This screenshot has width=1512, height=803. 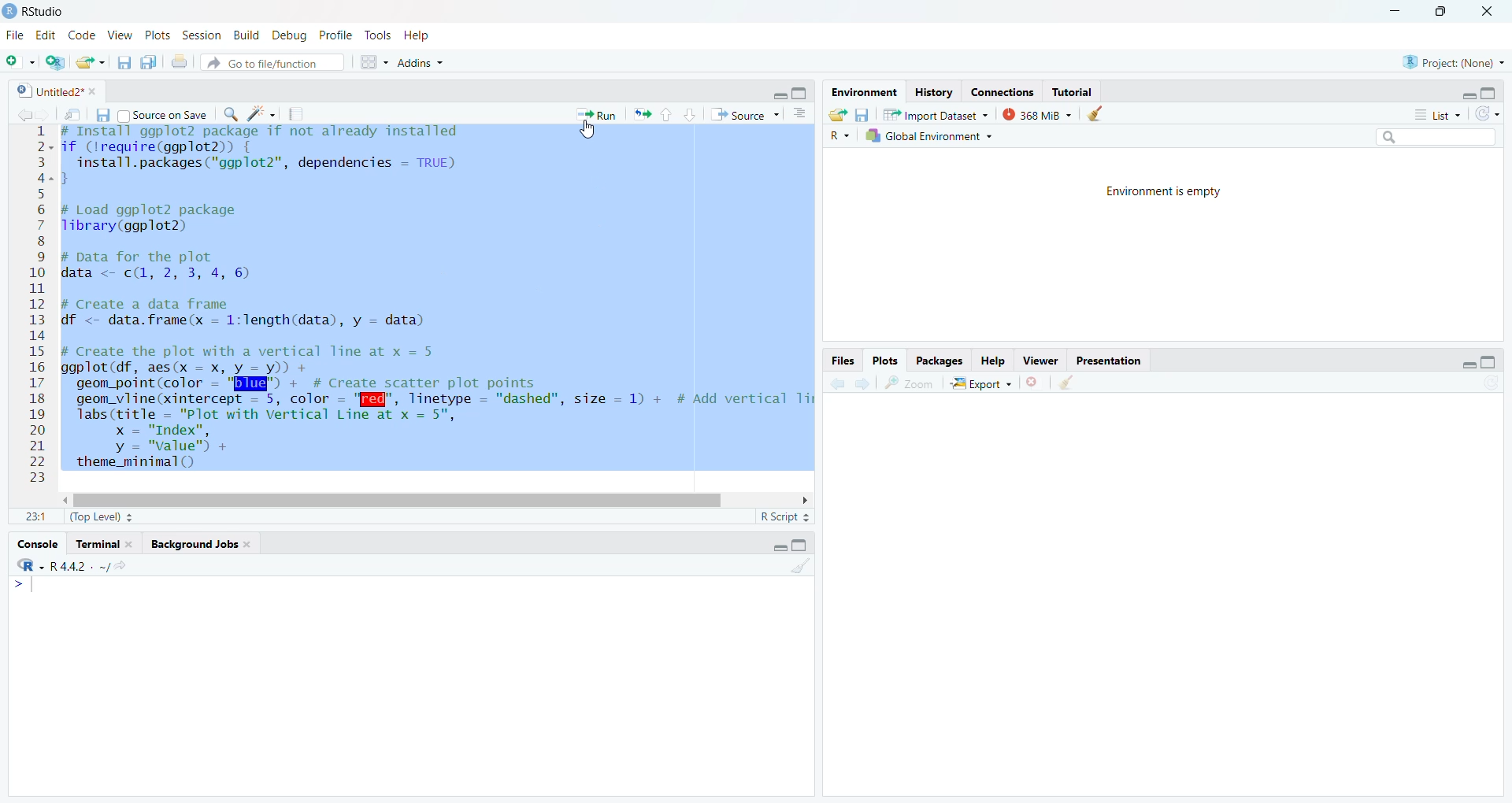 I want to click on Environment, so click(x=864, y=90).